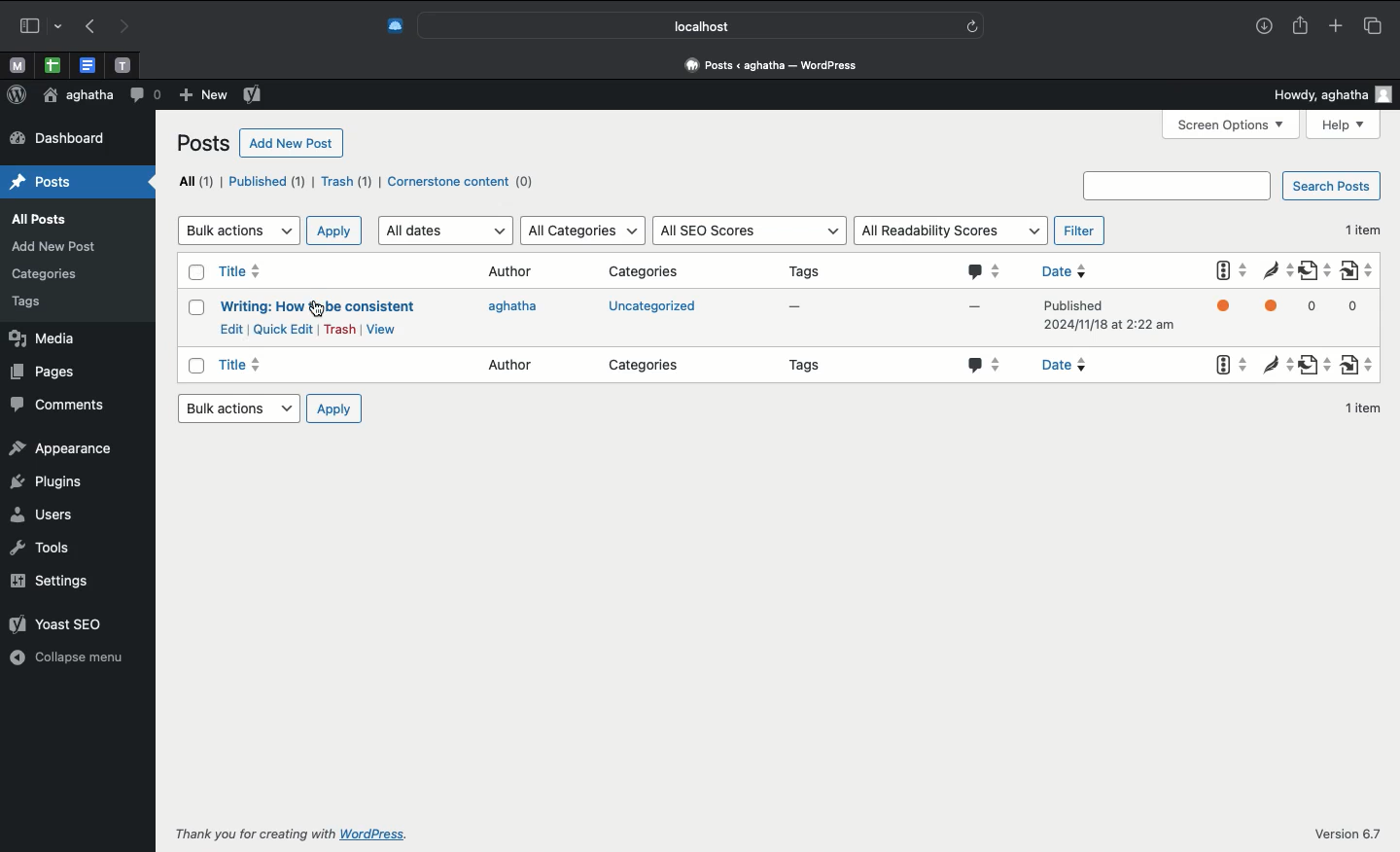 This screenshot has width=1400, height=852. Describe the element at coordinates (462, 182) in the screenshot. I see `Cornerstone content` at that location.